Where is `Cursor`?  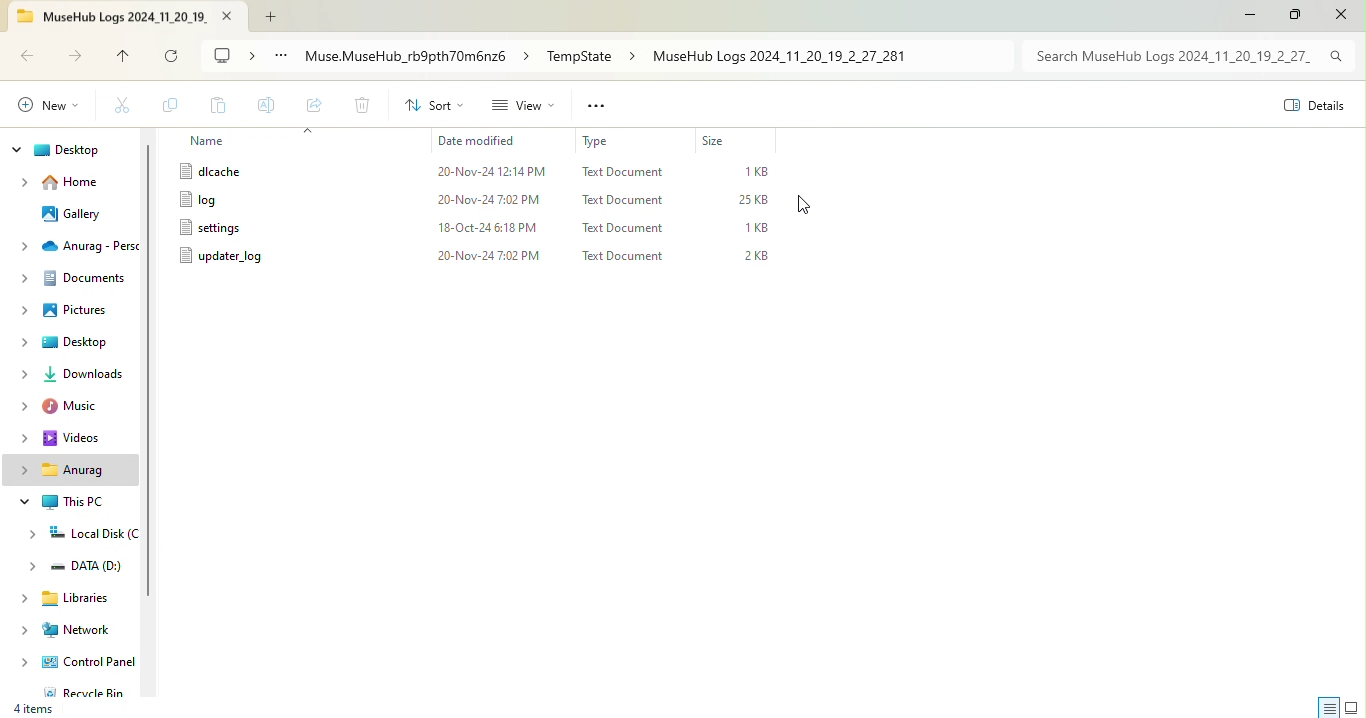 Cursor is located at coordinates (809, 209).